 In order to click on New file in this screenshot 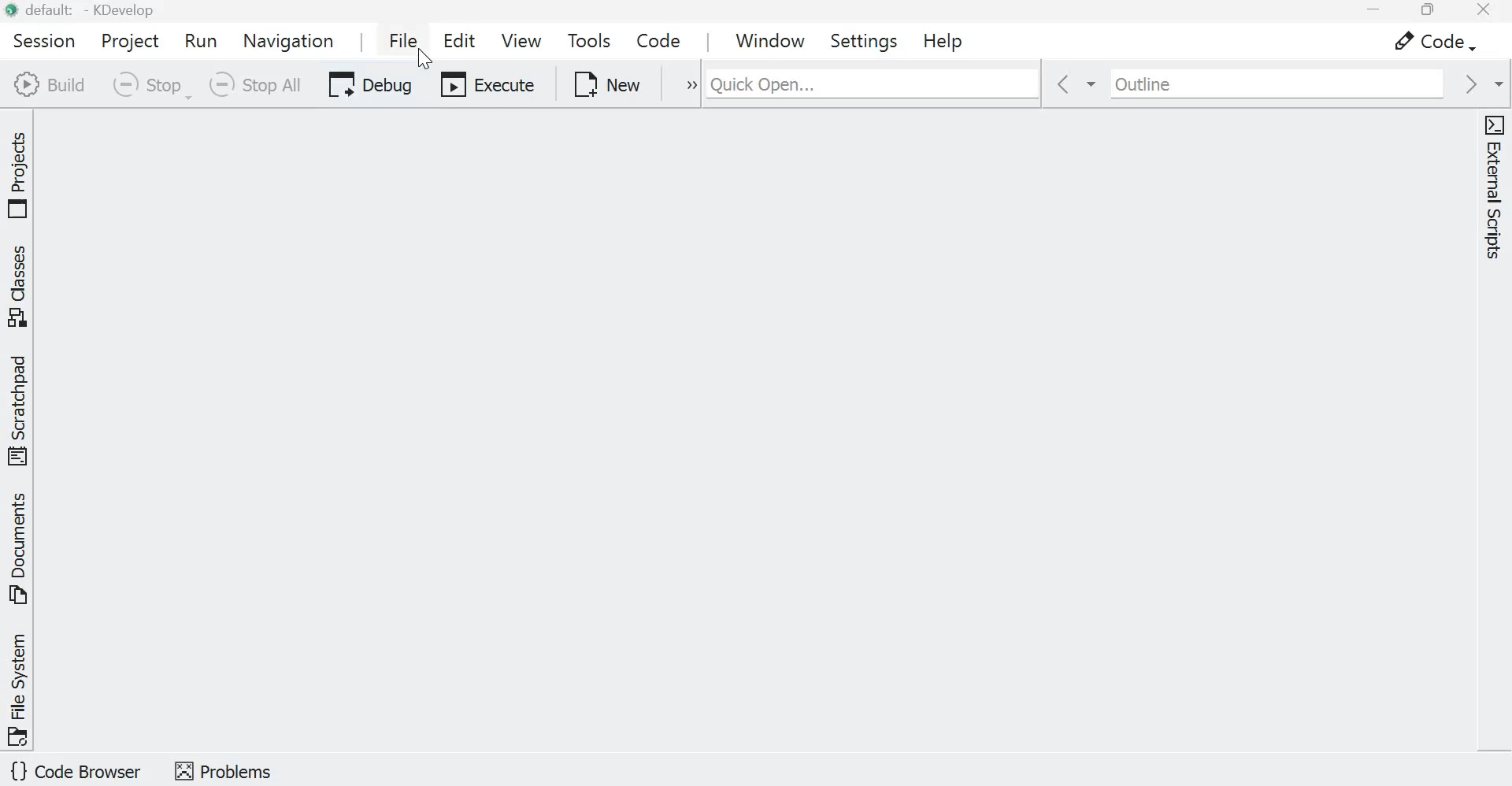, I will do `click(608, 83)`.